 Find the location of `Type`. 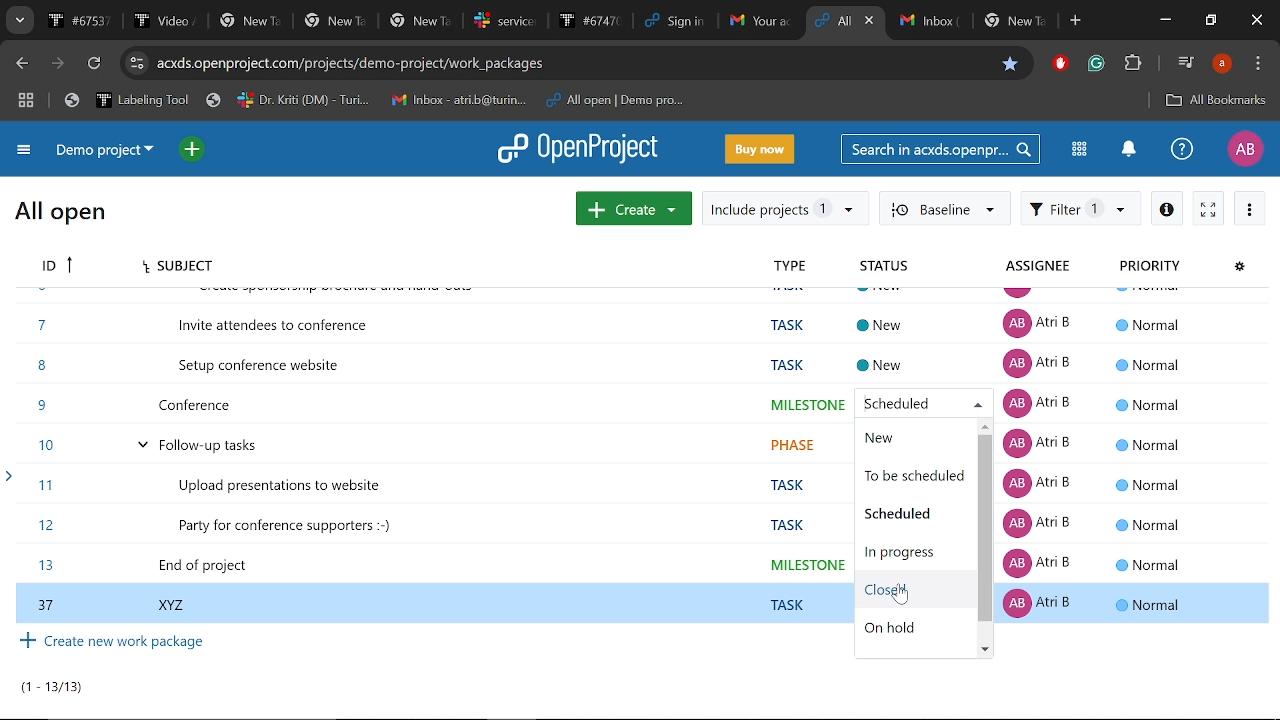

Type is located at coordinates (810, 268).